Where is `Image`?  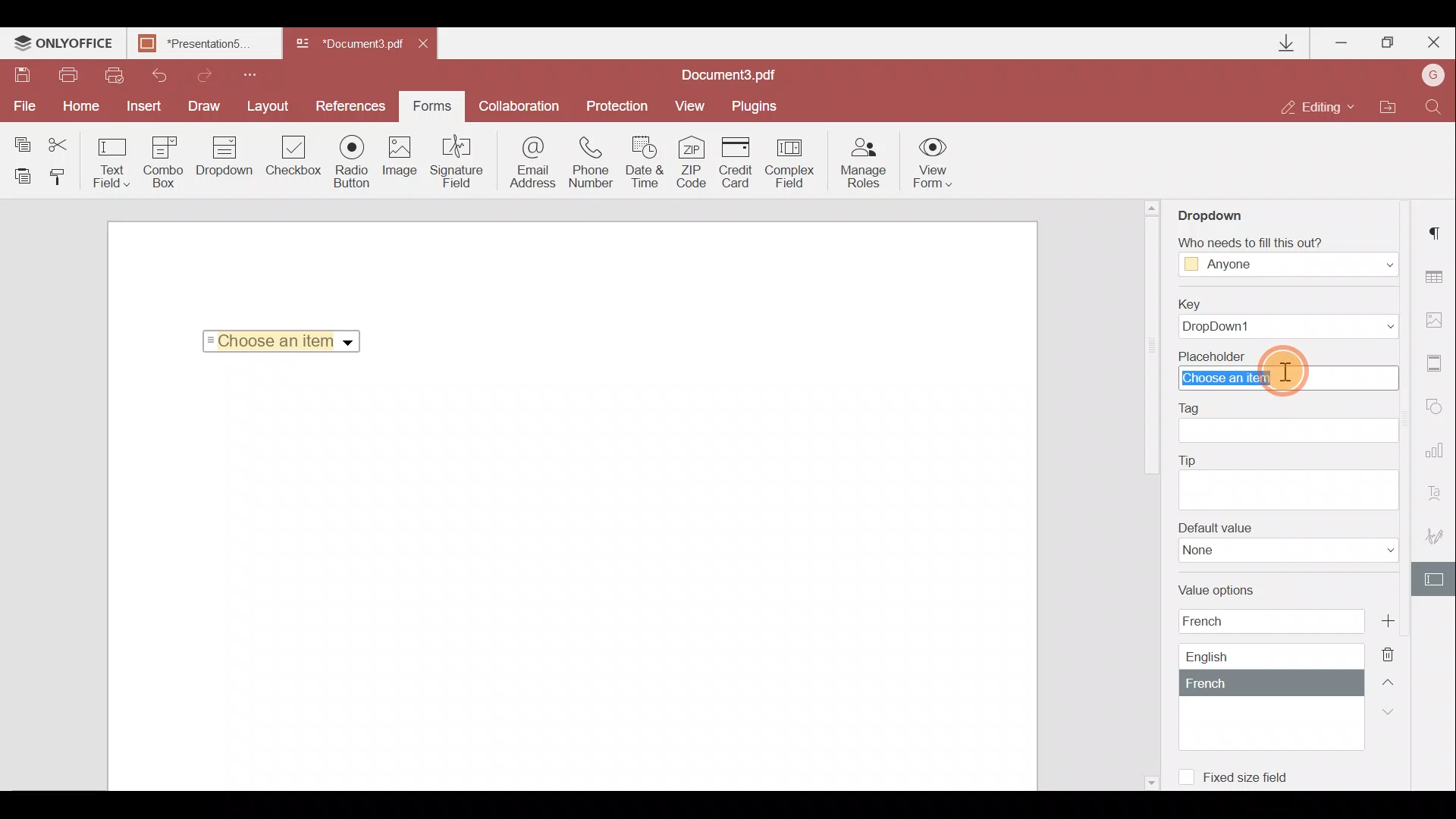 Image is located at coordinates (401, 163).